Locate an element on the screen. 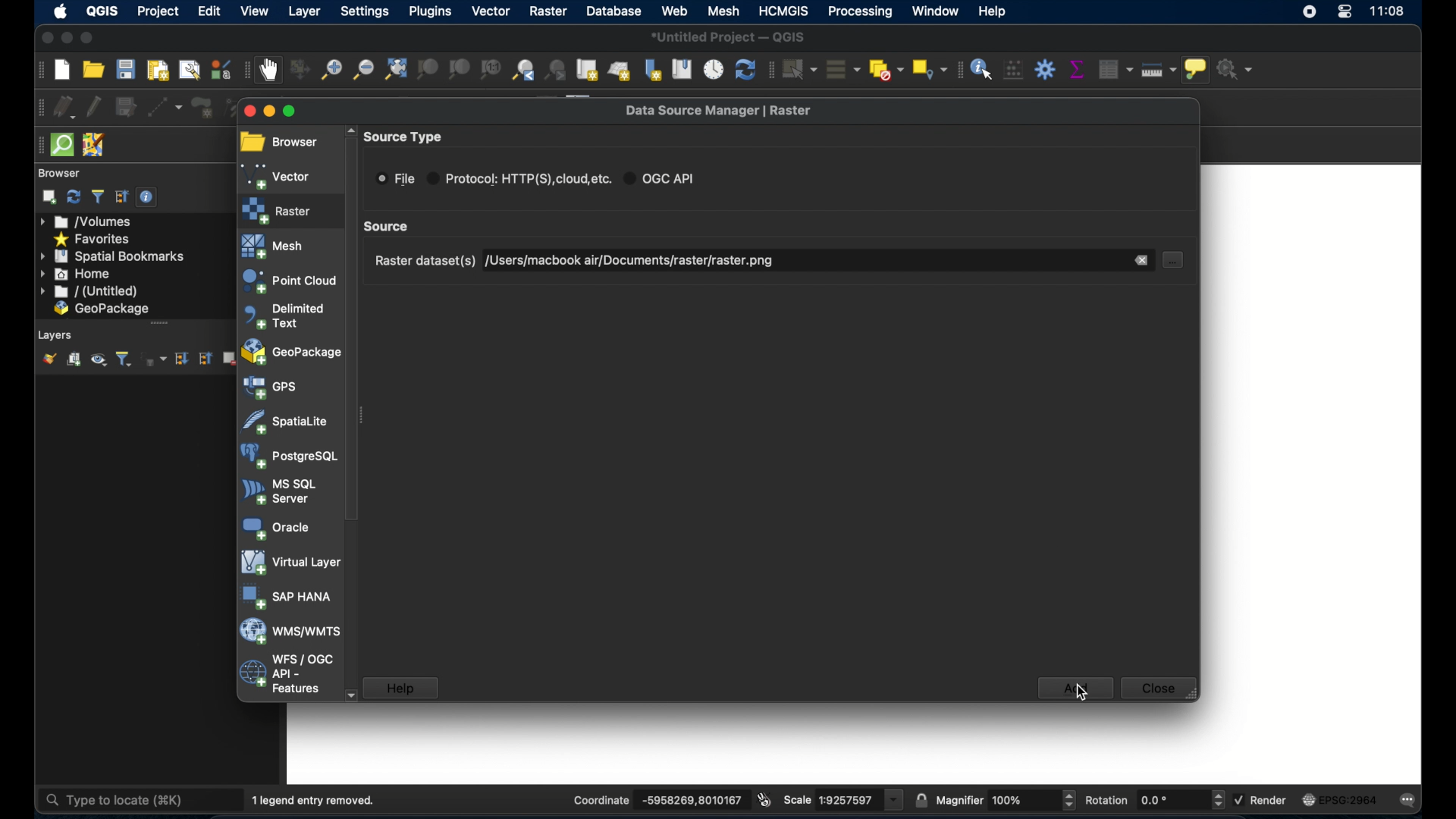 This screenshot has height=819, width=1456. dropdown is located at coordinates (895, 800).